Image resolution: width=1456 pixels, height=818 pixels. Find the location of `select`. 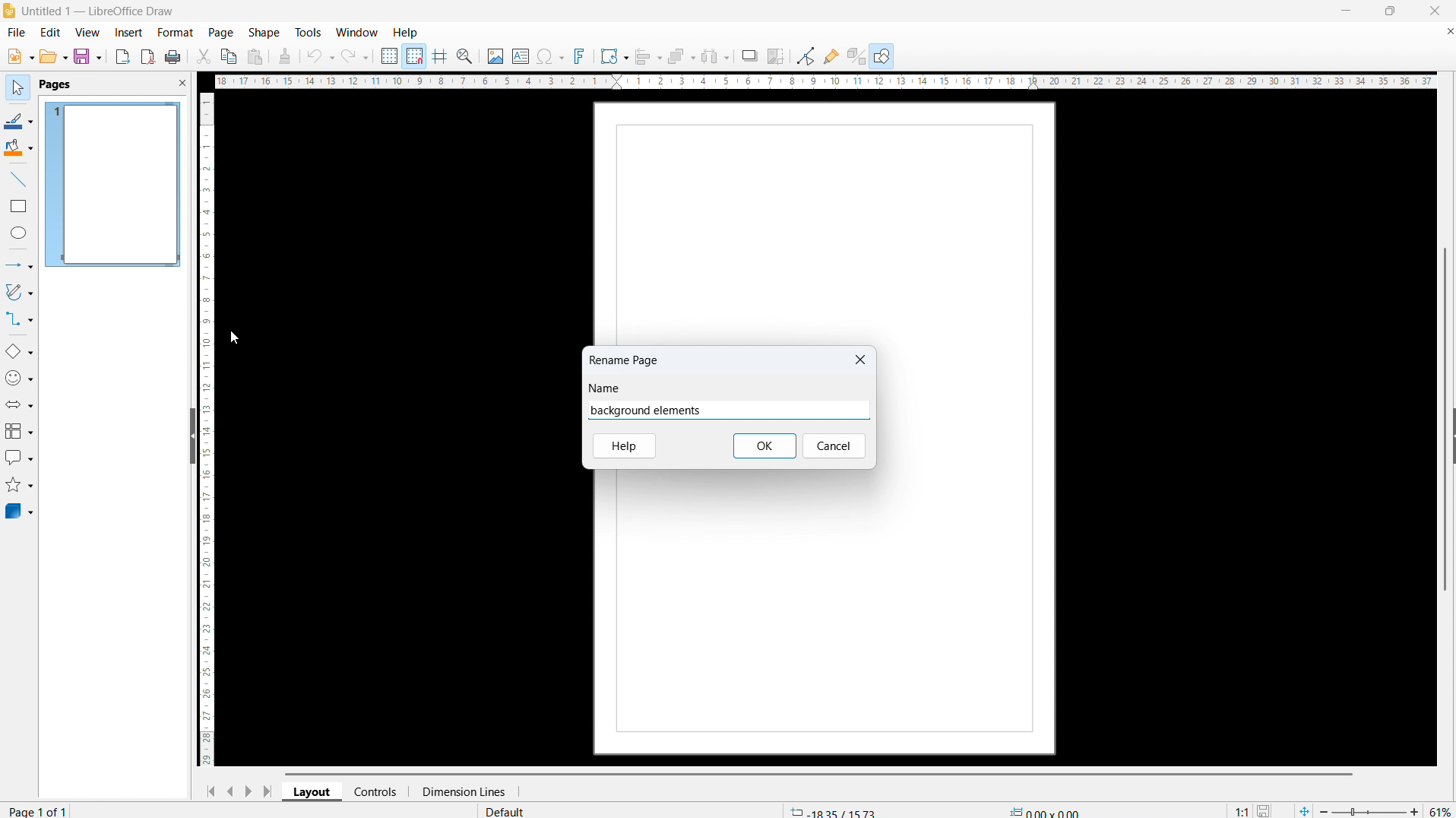

select is located at coordinates (17, 88).